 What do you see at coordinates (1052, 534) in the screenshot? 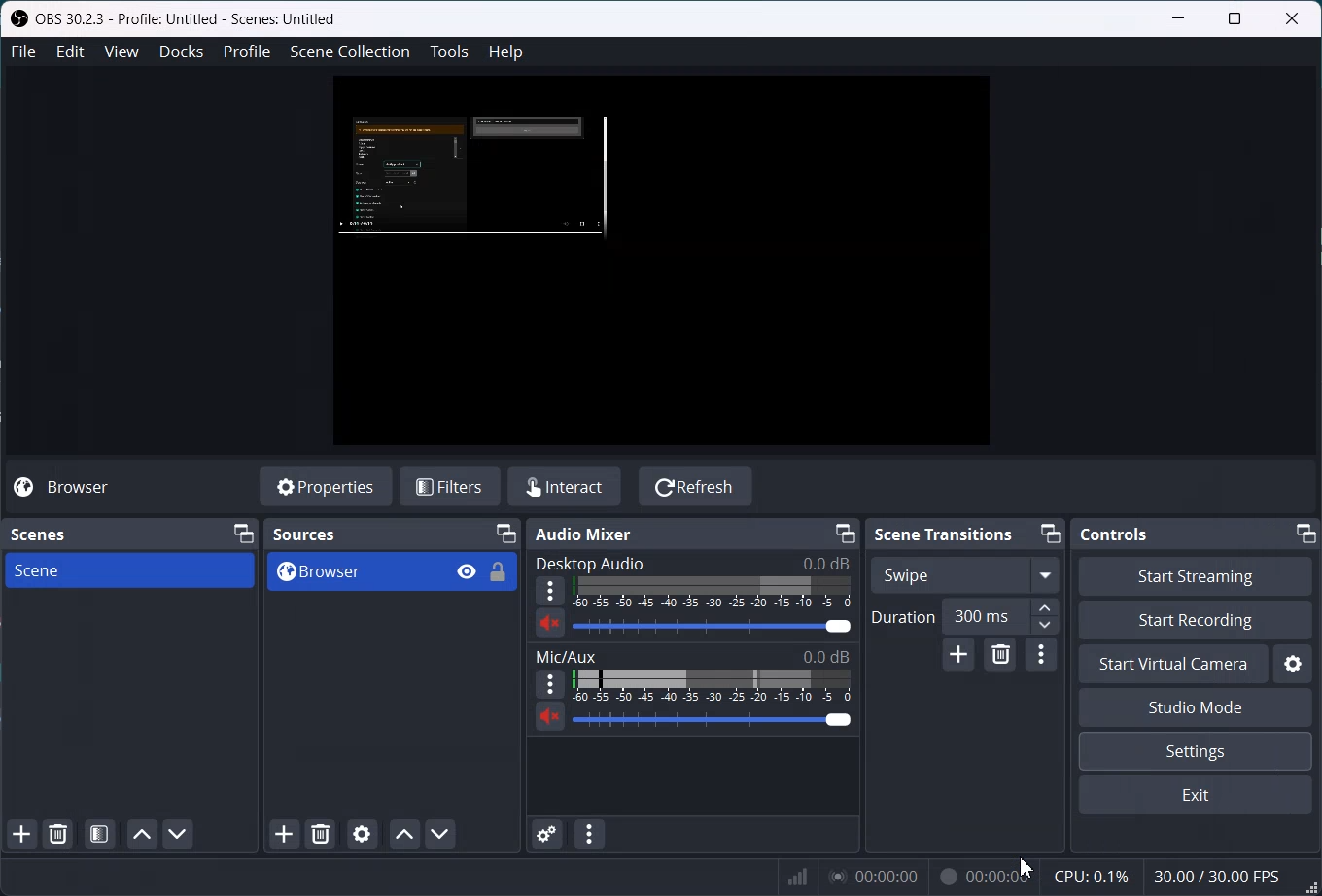
I see `Minimize` at bounding box center [1052, 534].